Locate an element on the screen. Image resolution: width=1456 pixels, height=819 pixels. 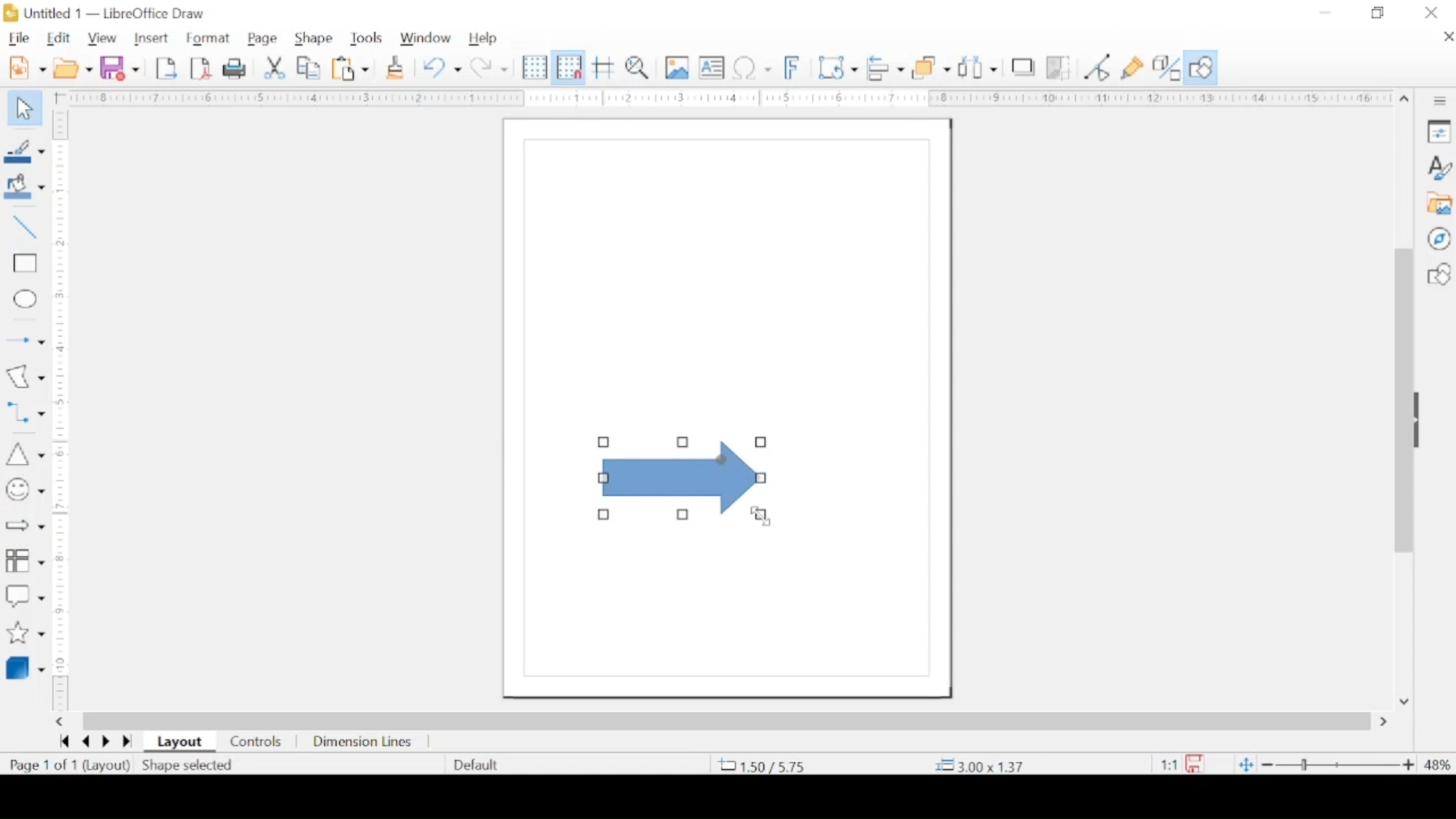
shadow is located at coordinates (1023, 65).